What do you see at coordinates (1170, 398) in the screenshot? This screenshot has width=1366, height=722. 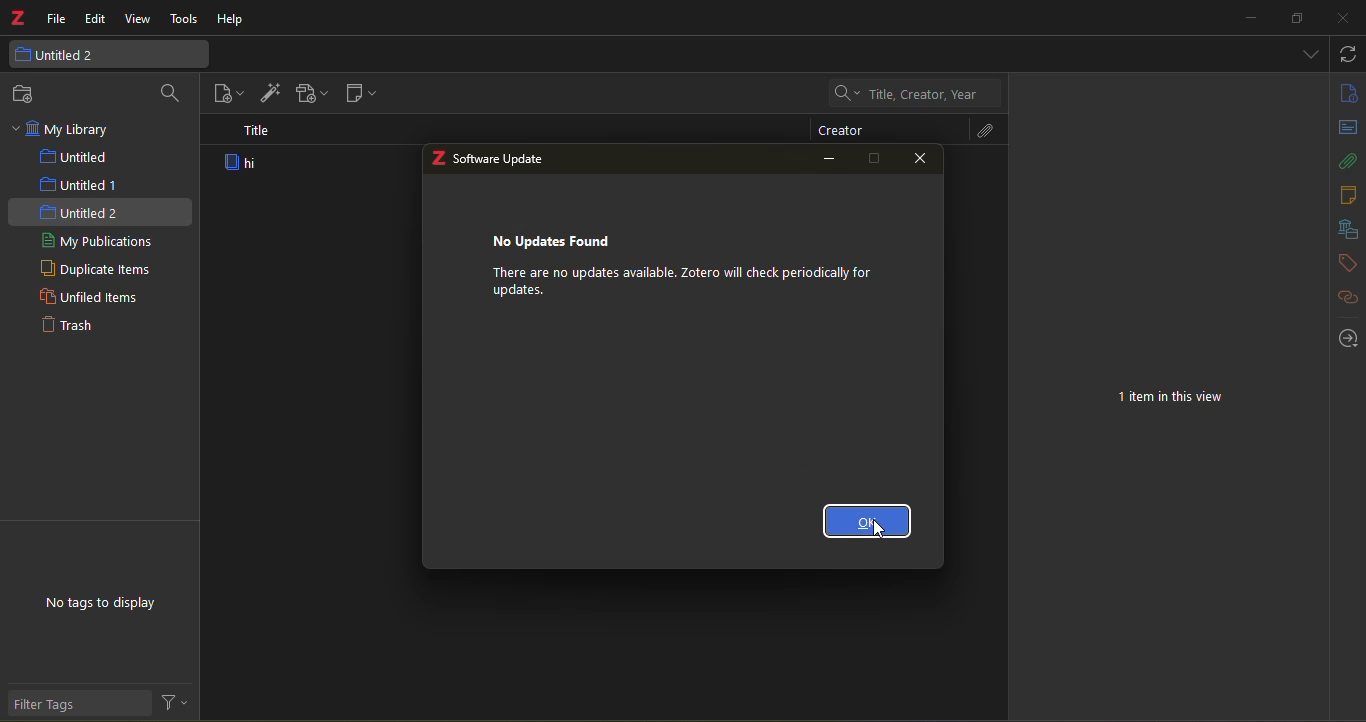 I see `1 item in this view` at bounding box center [1170, 398].